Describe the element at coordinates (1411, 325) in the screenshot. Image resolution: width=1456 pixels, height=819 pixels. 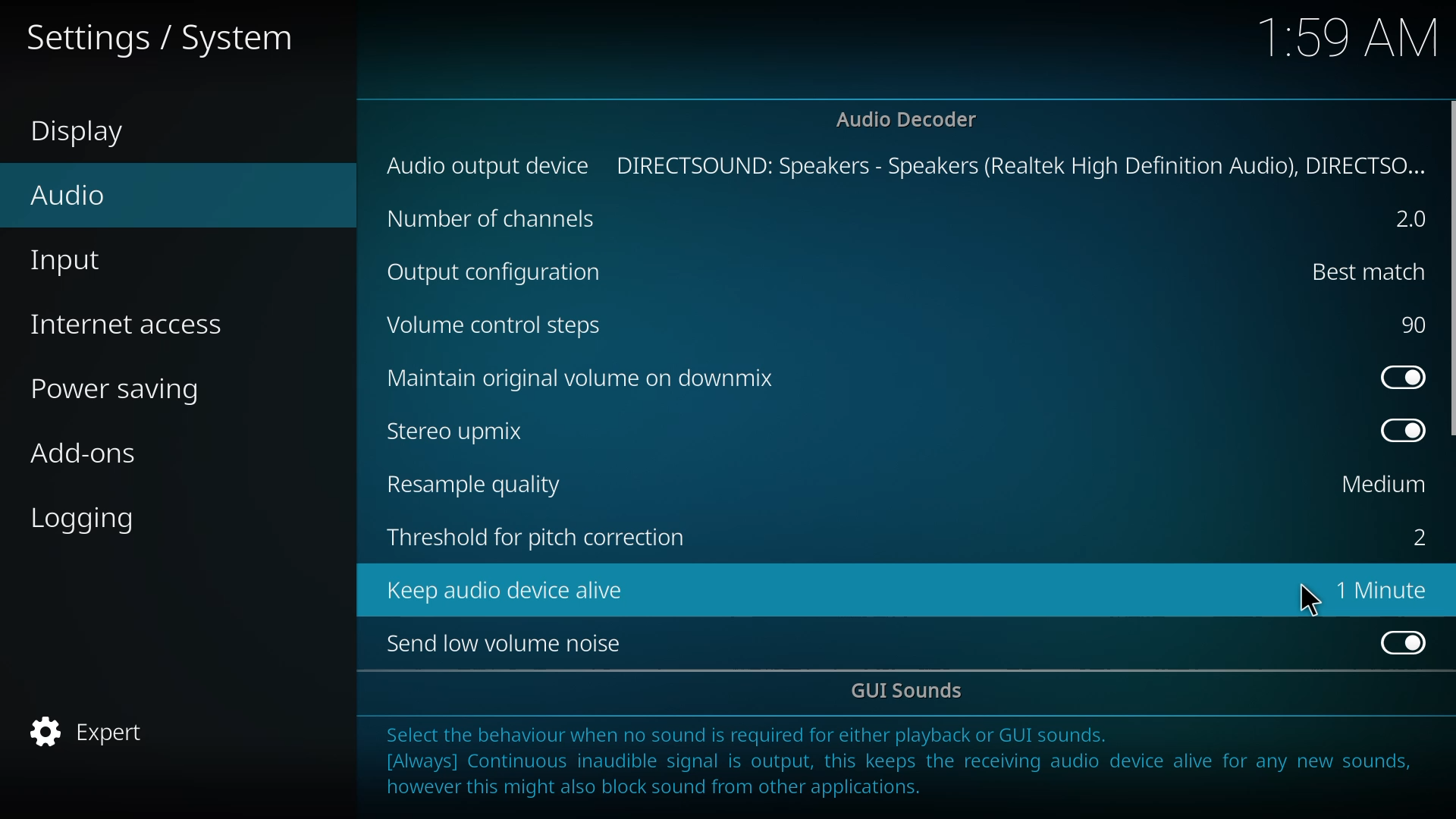
I see `90` at that location.